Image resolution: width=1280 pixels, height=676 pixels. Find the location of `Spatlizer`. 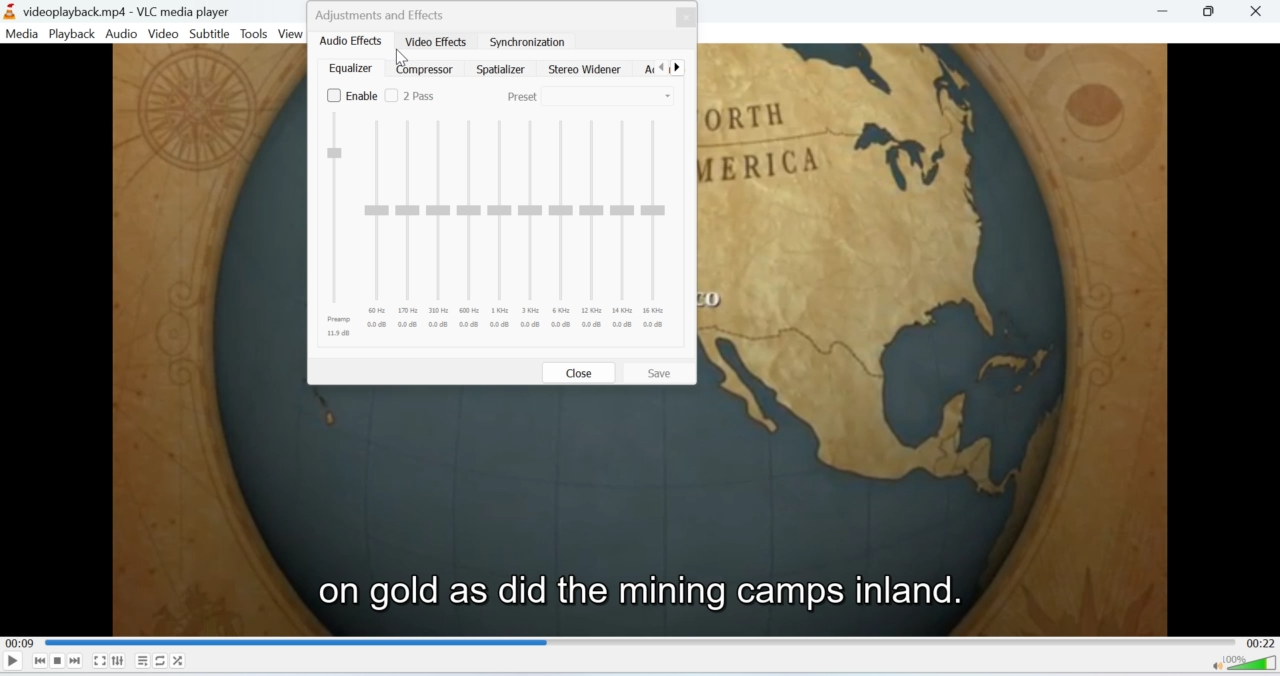

Spatlizer is located at coordinates (502, 69).